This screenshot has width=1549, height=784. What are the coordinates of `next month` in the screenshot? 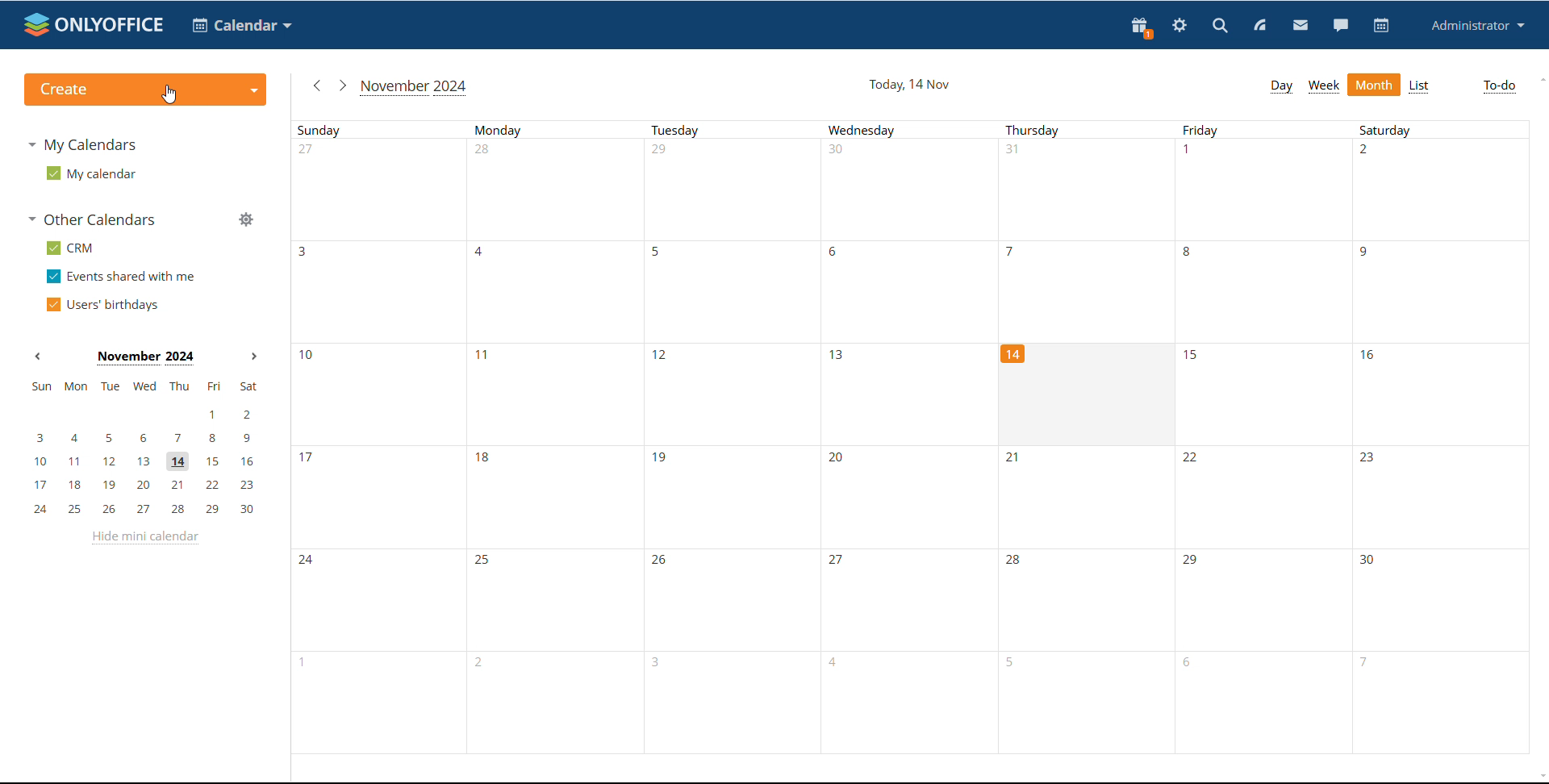 It's located at (340, 85).